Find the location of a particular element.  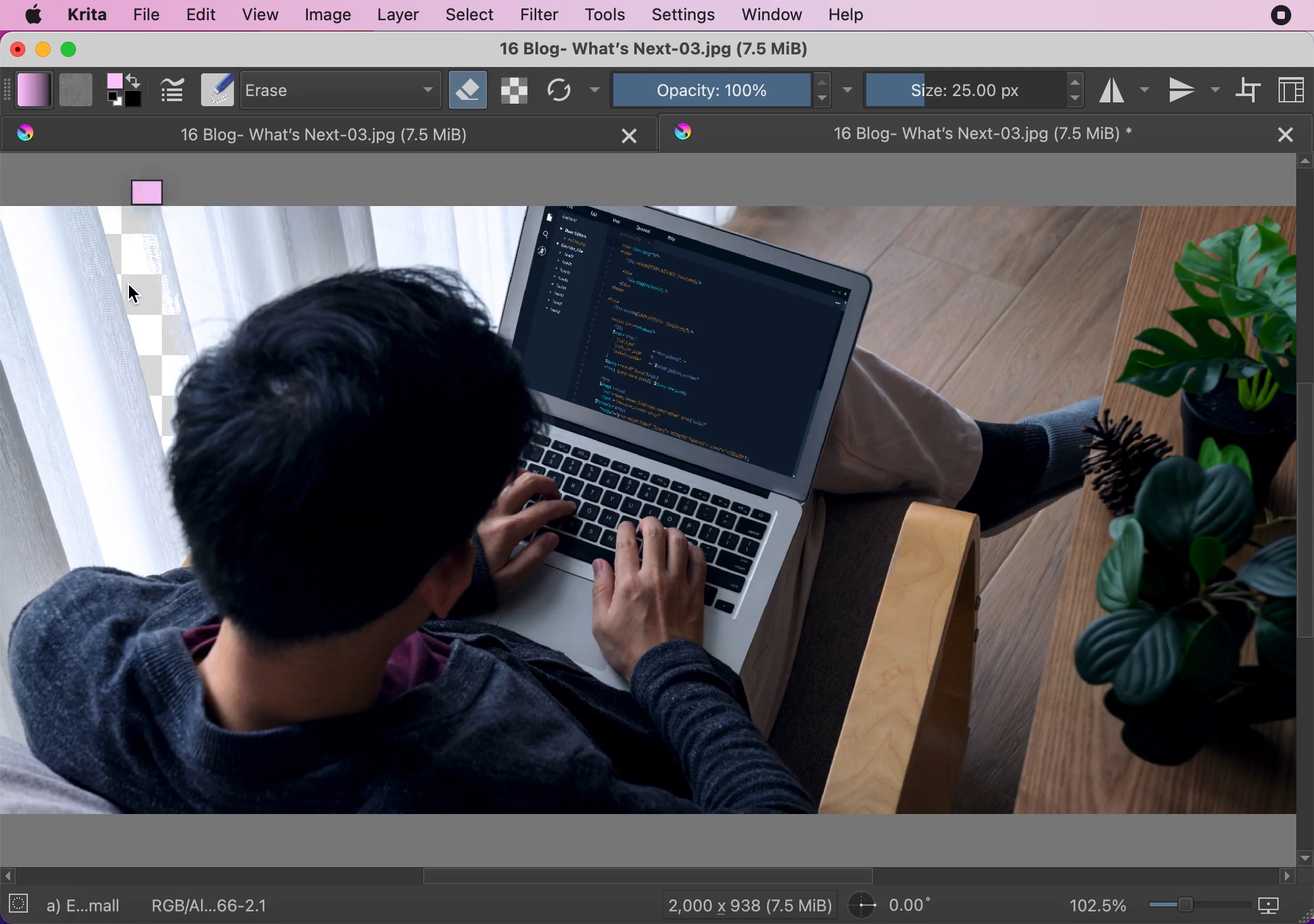

preserve alpha is located at coordinates (512, 90).